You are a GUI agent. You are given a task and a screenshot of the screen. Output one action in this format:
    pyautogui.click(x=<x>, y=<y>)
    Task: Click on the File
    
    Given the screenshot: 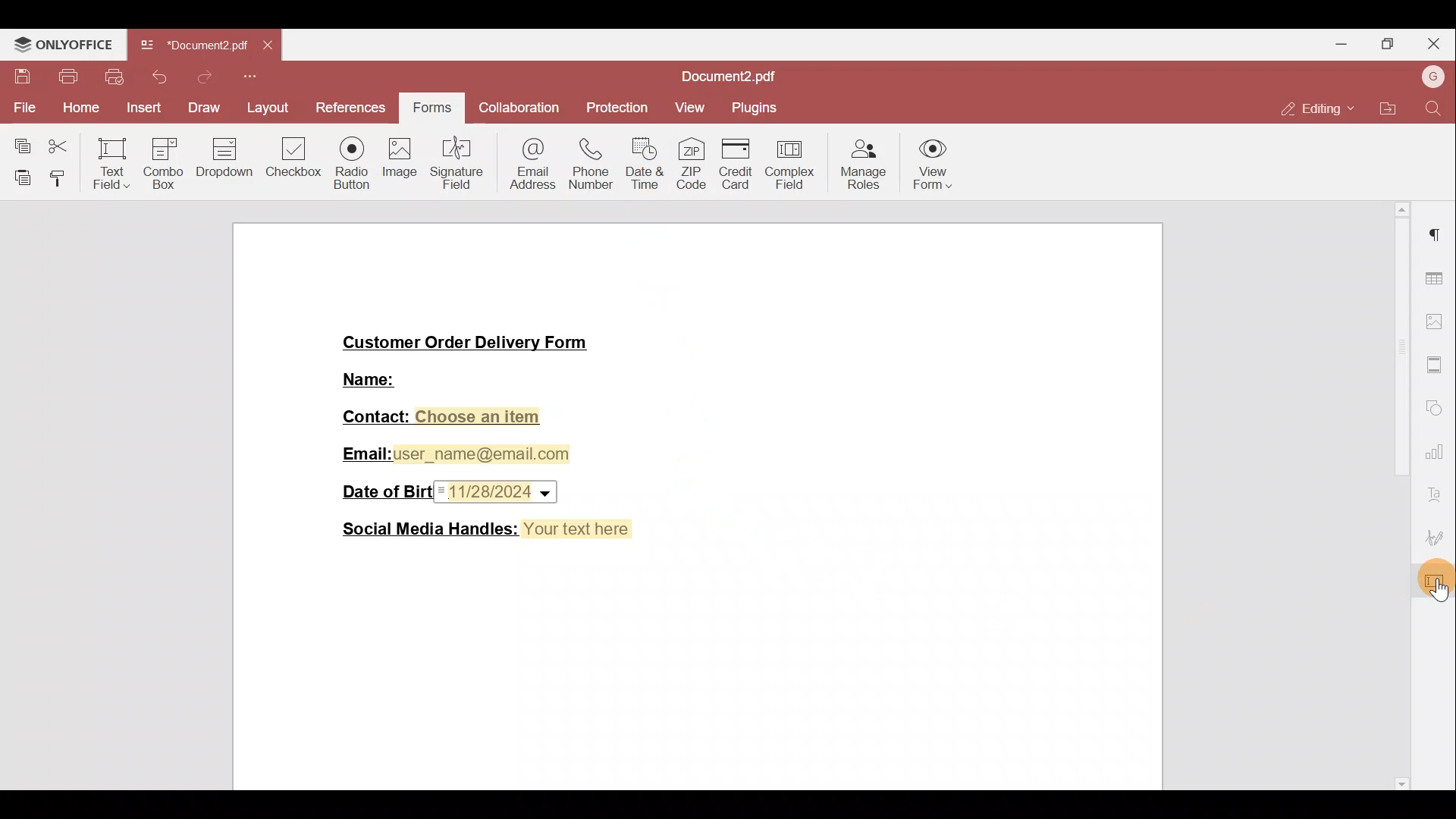 What is the action you would take?
    pyautogui.click(x=21, y=106)
    